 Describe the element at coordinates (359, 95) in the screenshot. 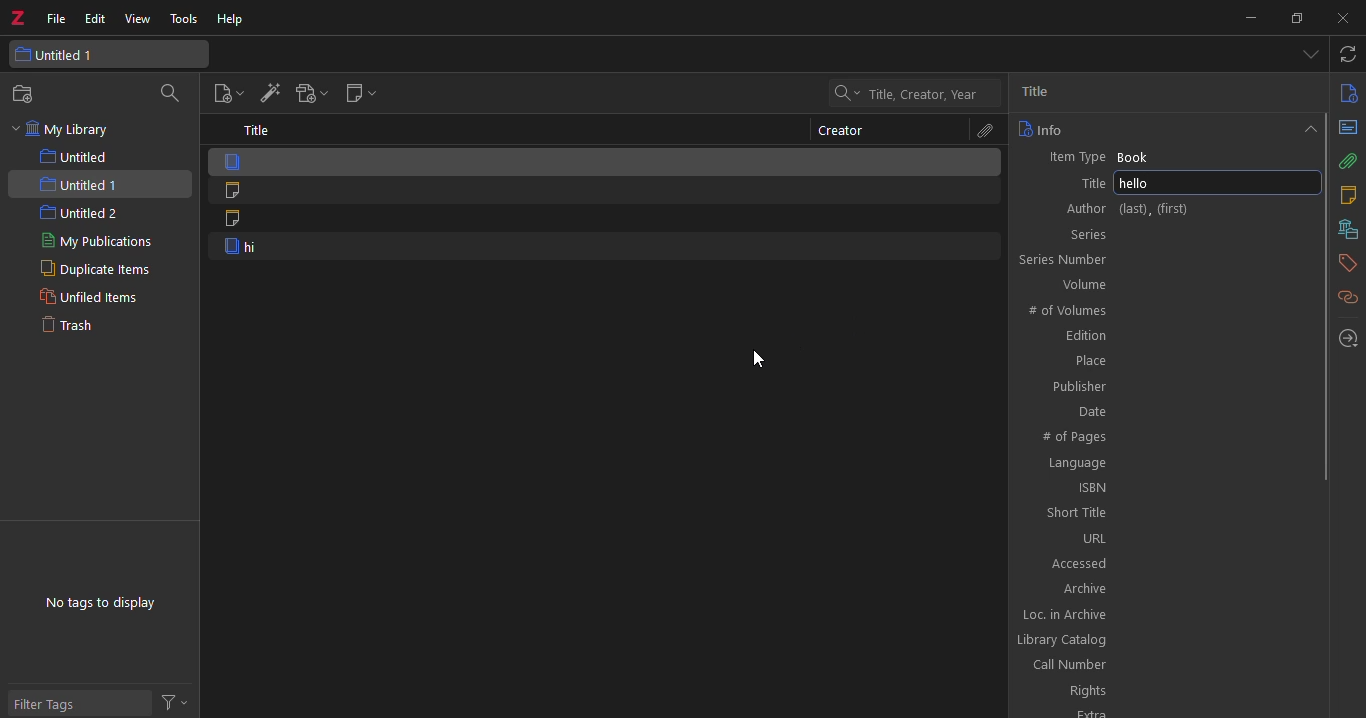

I see `new note` at that location.